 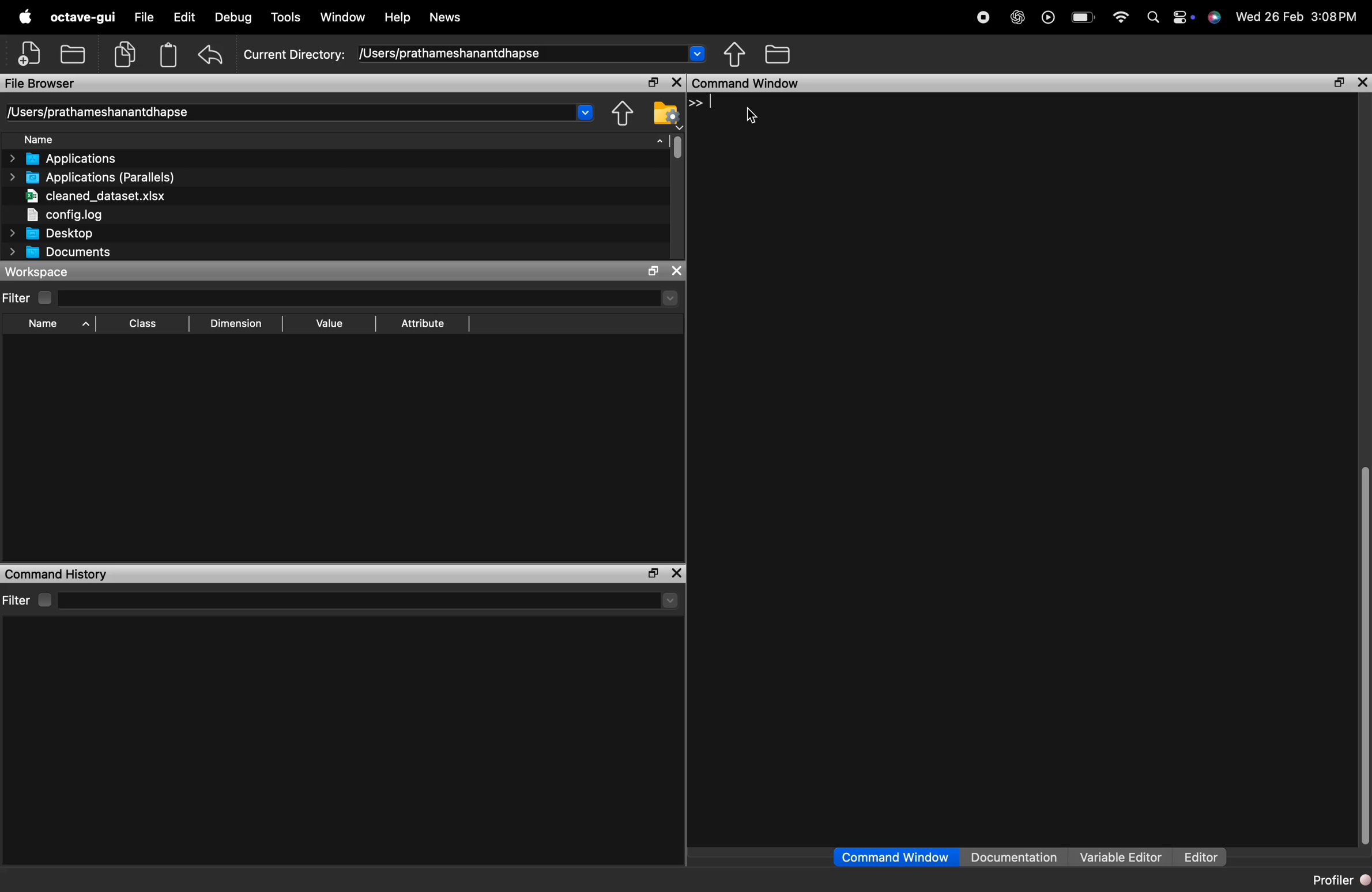 I want to click on paste, so click(x=167, y=55).